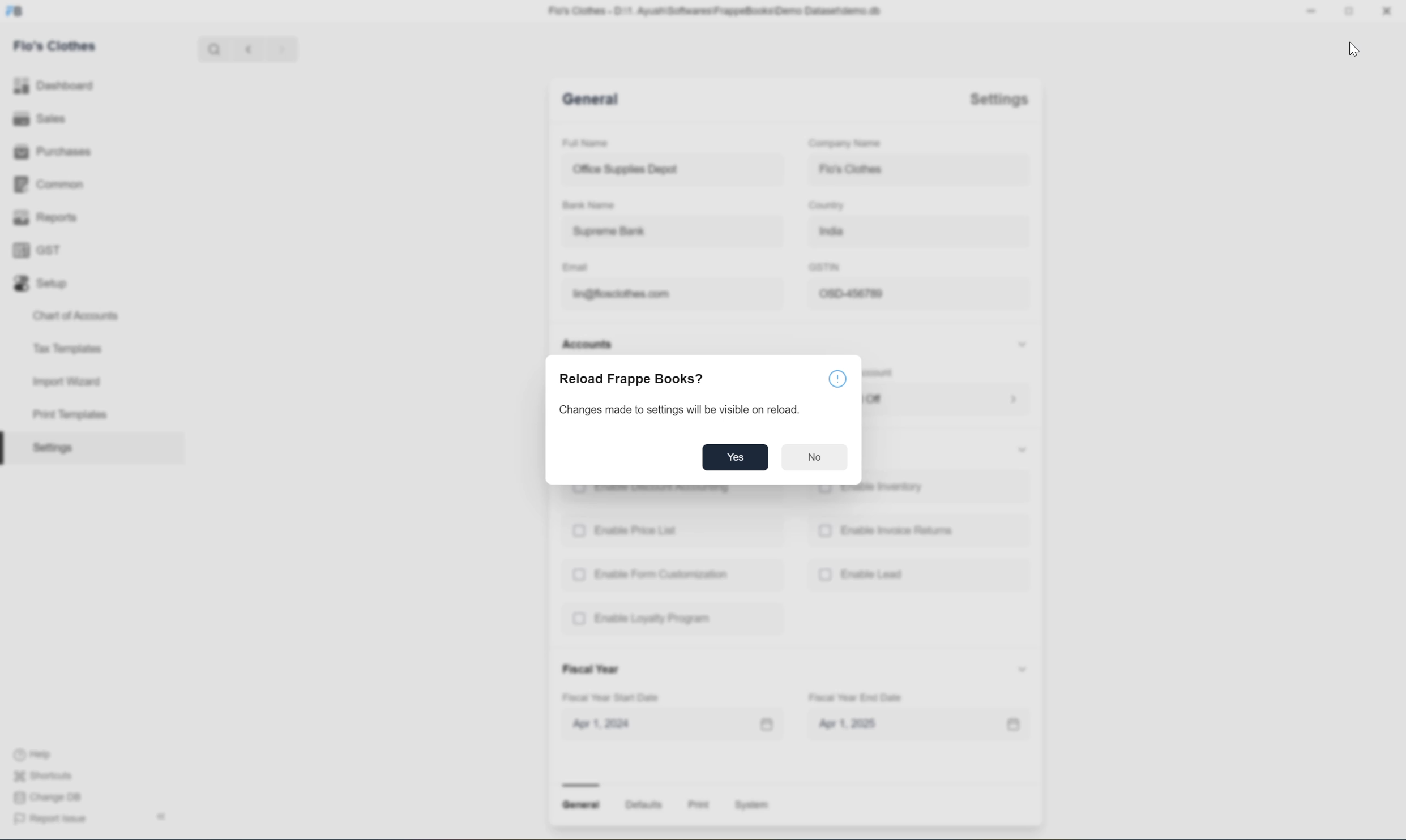 The width and height of the screenshot is (1406, 840). I want to click on Reload Frappe Books?, so click(634, 379).